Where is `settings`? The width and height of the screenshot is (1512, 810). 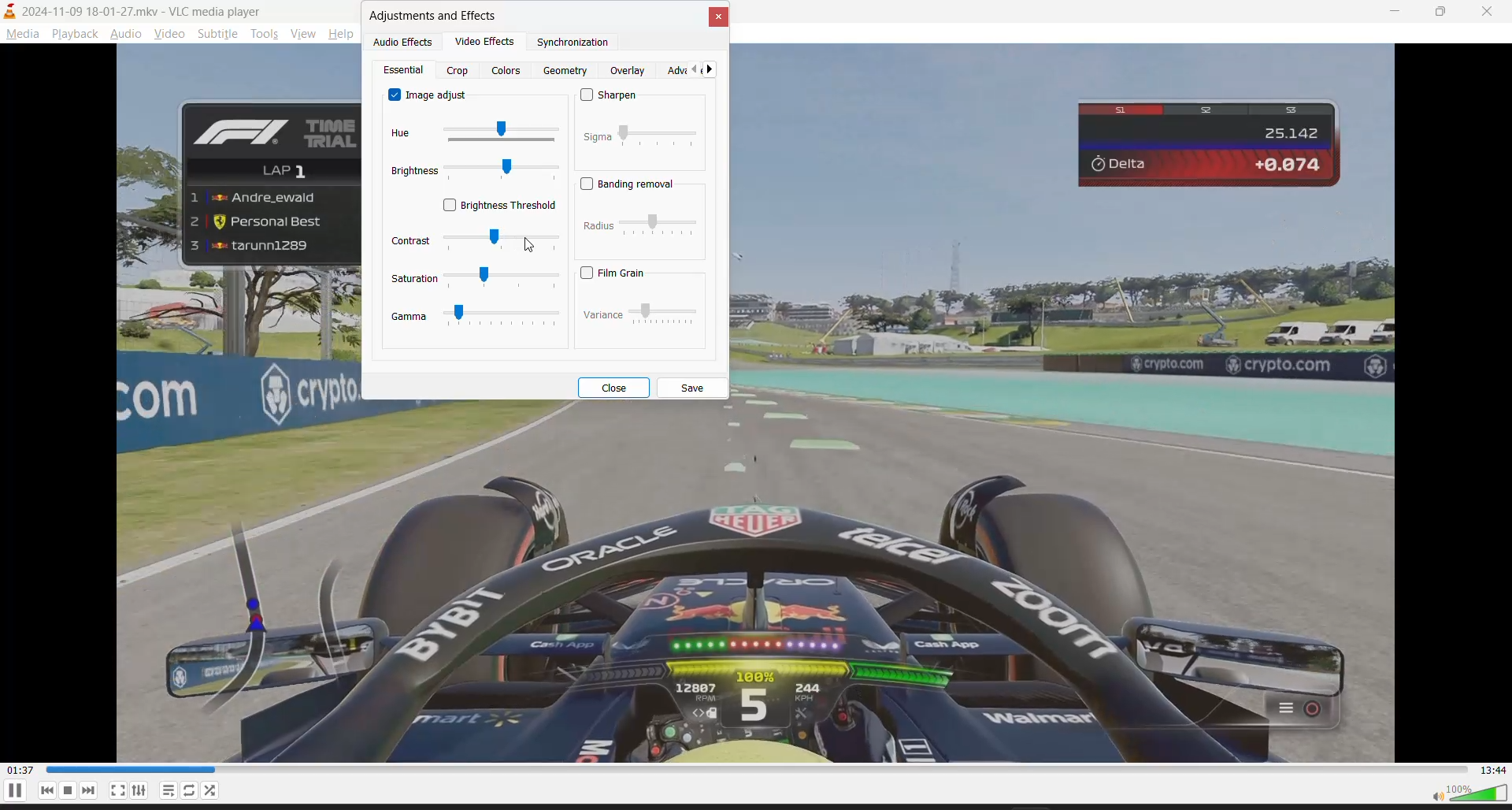 settings is located at coordinates (140, 790).